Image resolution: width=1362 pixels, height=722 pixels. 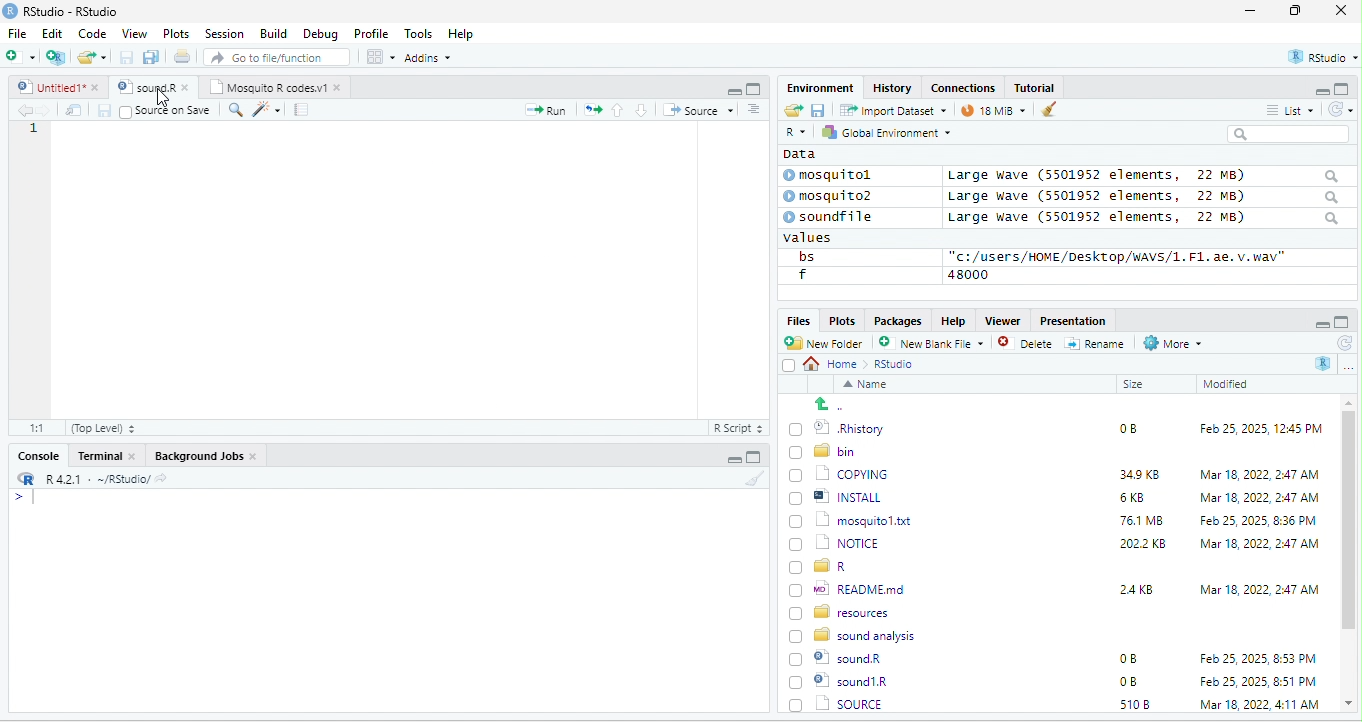 I want to click on sort, so click(x=753, y=108).